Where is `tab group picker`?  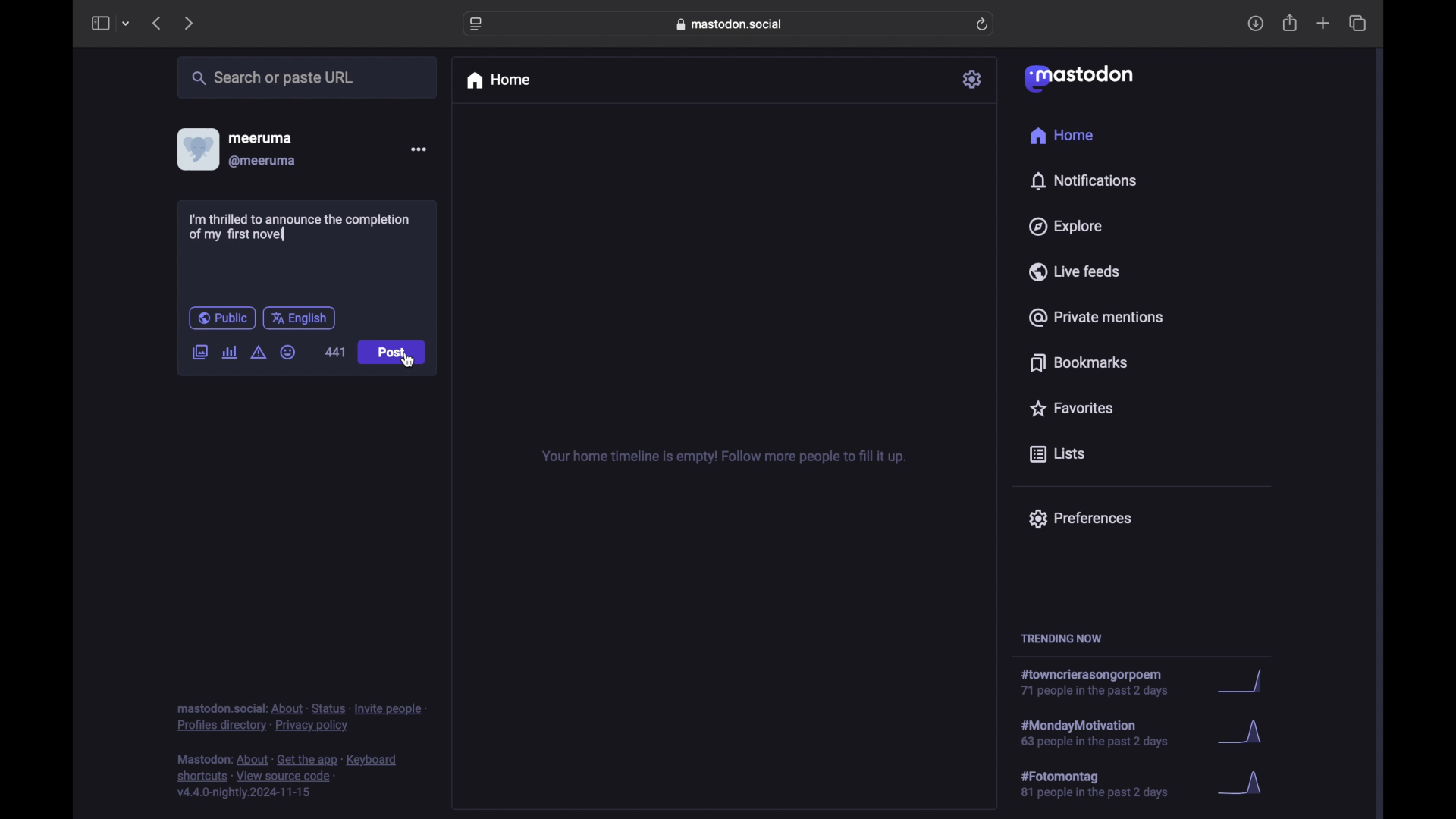
tab group picker is located at coordinates (127, 23).